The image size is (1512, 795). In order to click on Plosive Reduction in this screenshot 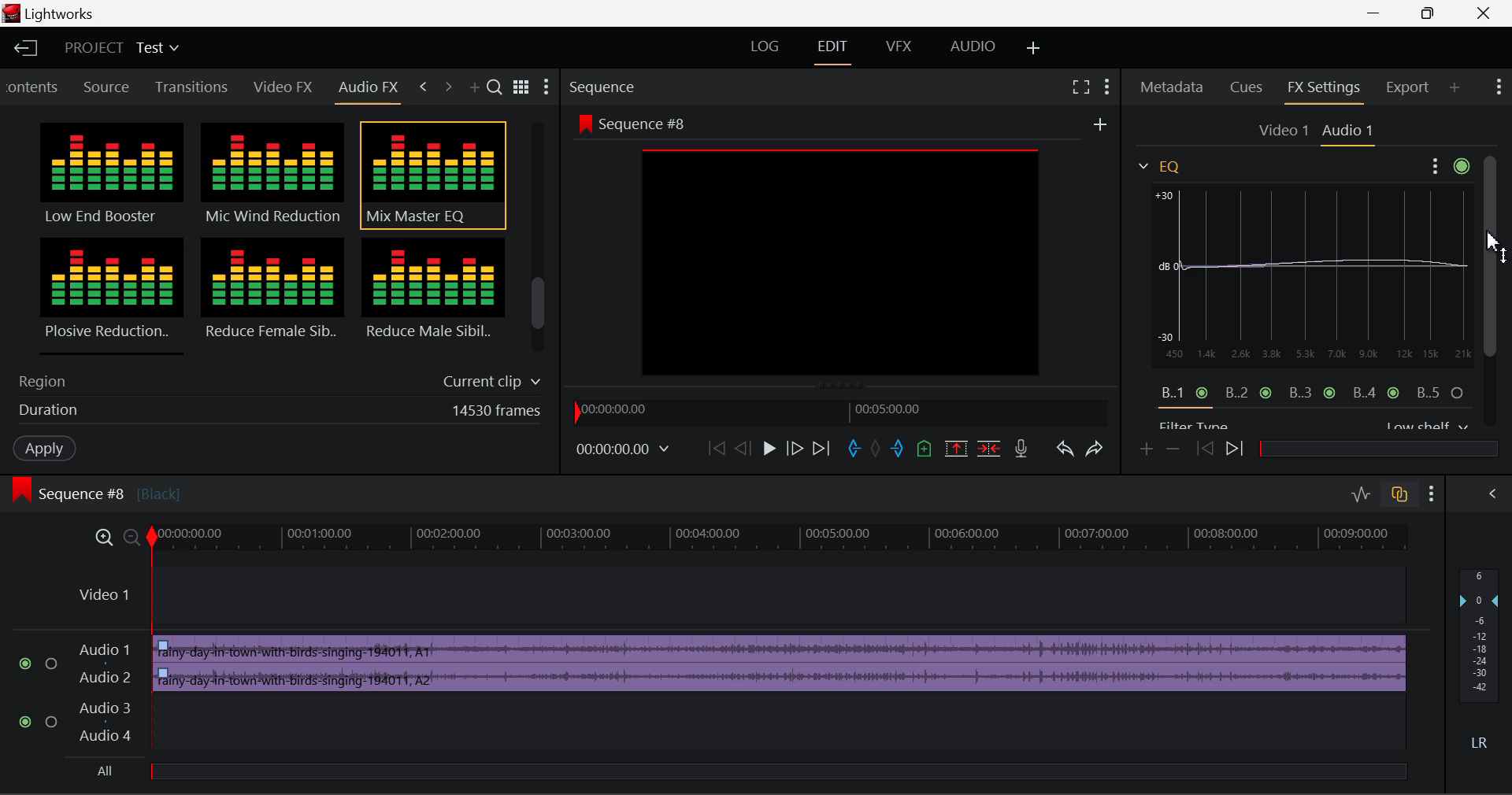, I will do `click(109, 294)`.